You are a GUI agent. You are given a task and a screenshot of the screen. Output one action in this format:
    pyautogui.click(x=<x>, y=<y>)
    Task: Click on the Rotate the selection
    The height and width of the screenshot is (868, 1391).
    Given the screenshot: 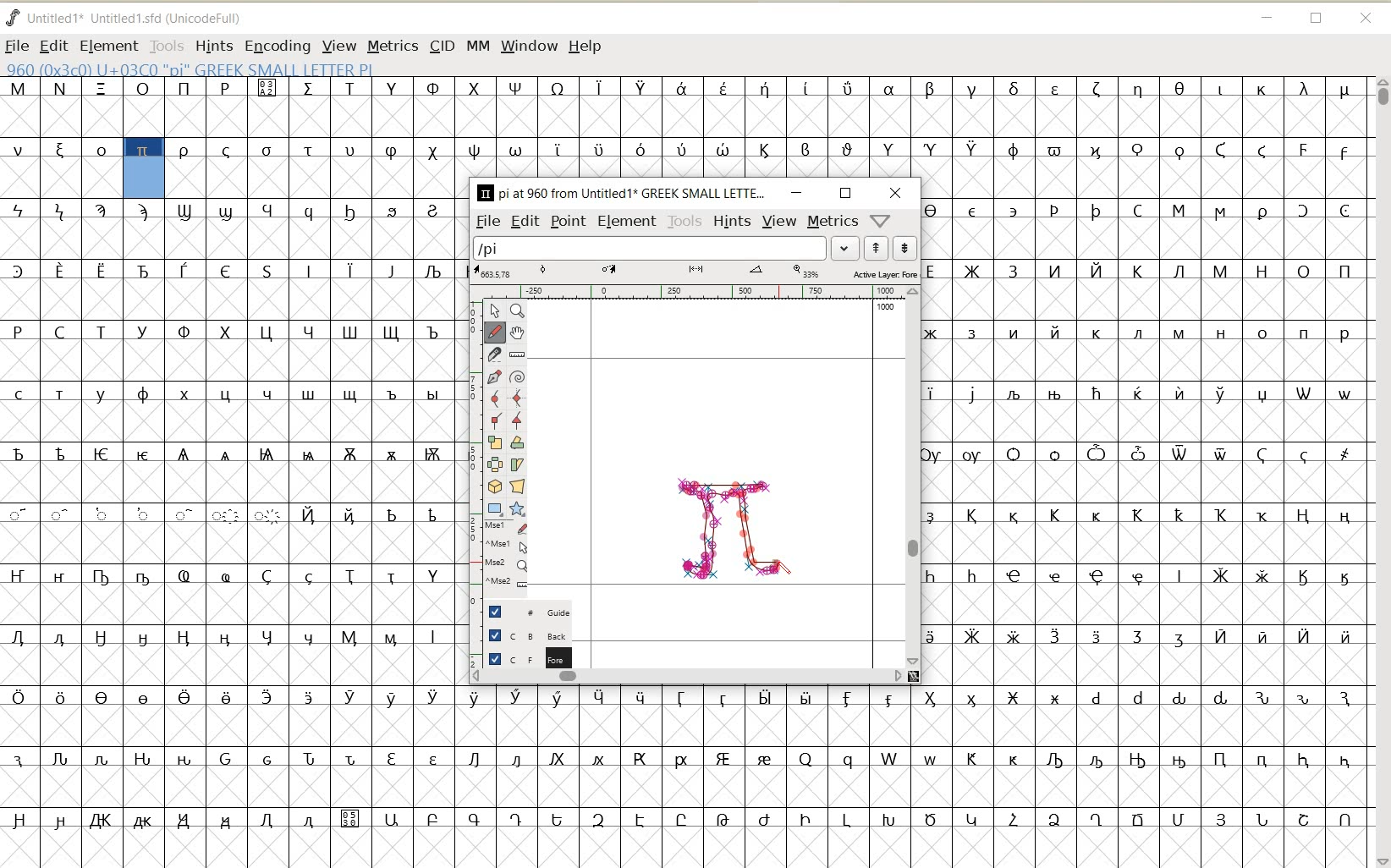 What is the action you would take?
    pyautogui.click(x=518, y=442)
    